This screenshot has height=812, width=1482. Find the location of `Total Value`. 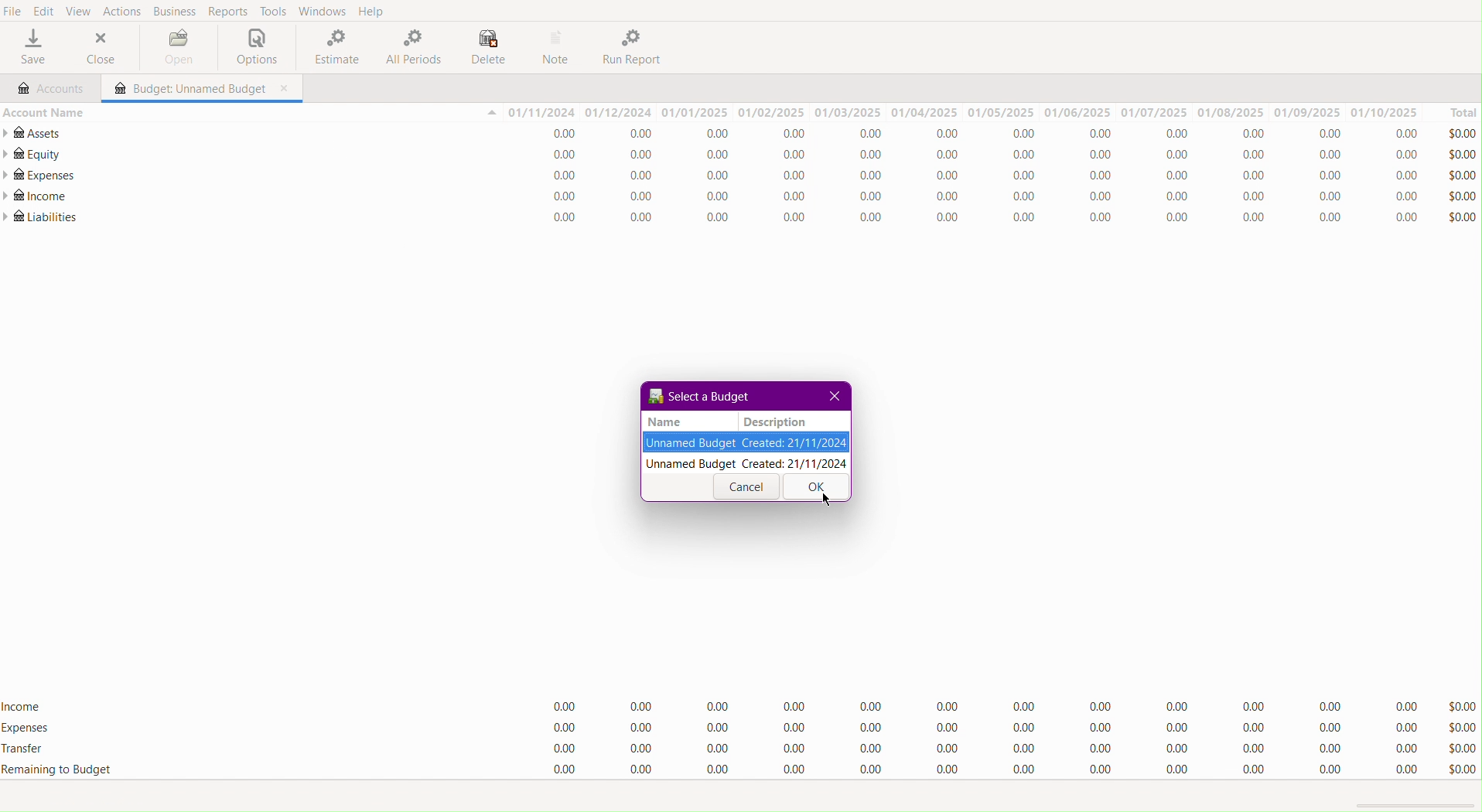

Total Value is located at coordinates (1460, 737).